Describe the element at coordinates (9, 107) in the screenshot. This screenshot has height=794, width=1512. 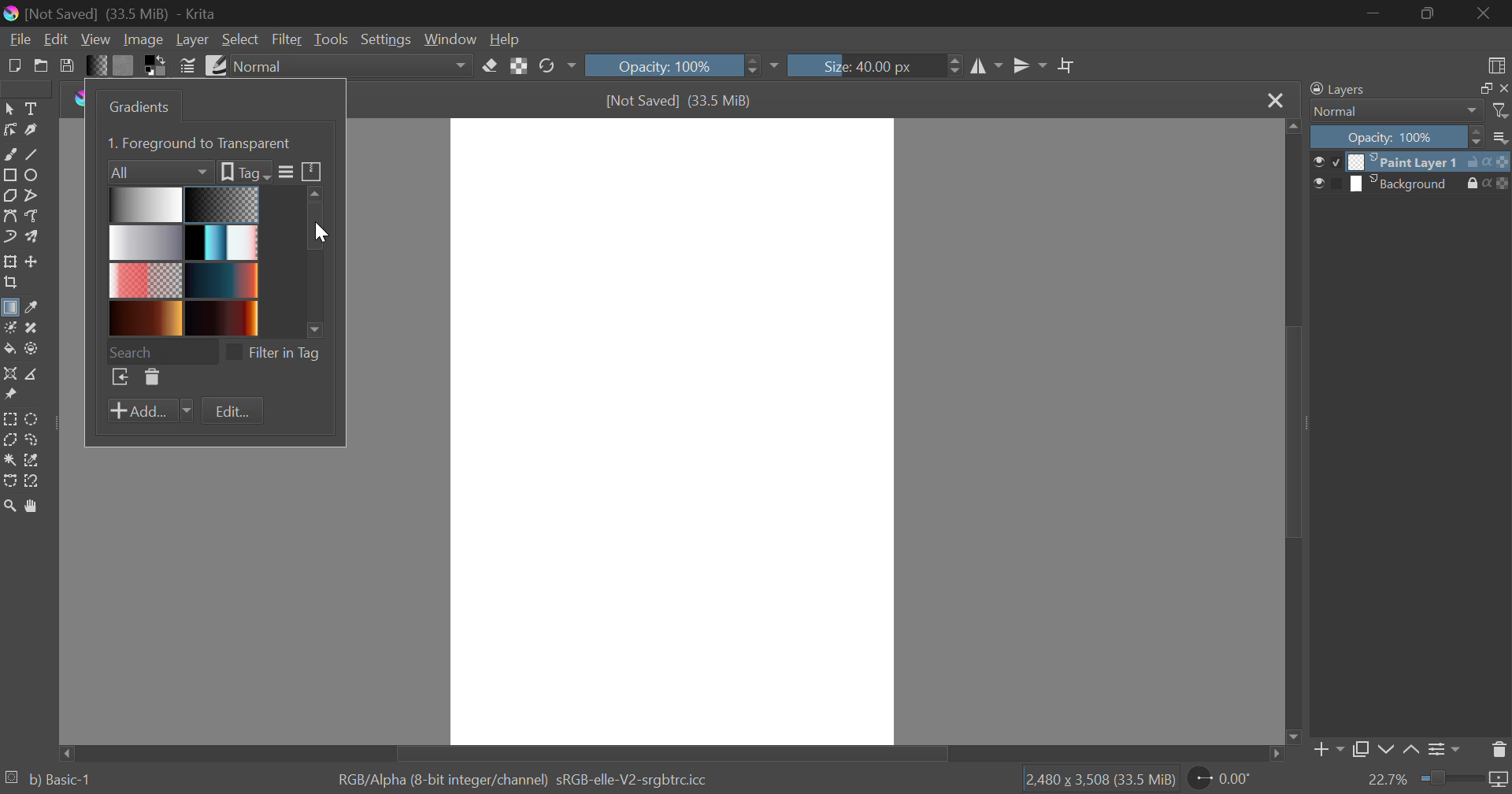
I see `Select` at that location.